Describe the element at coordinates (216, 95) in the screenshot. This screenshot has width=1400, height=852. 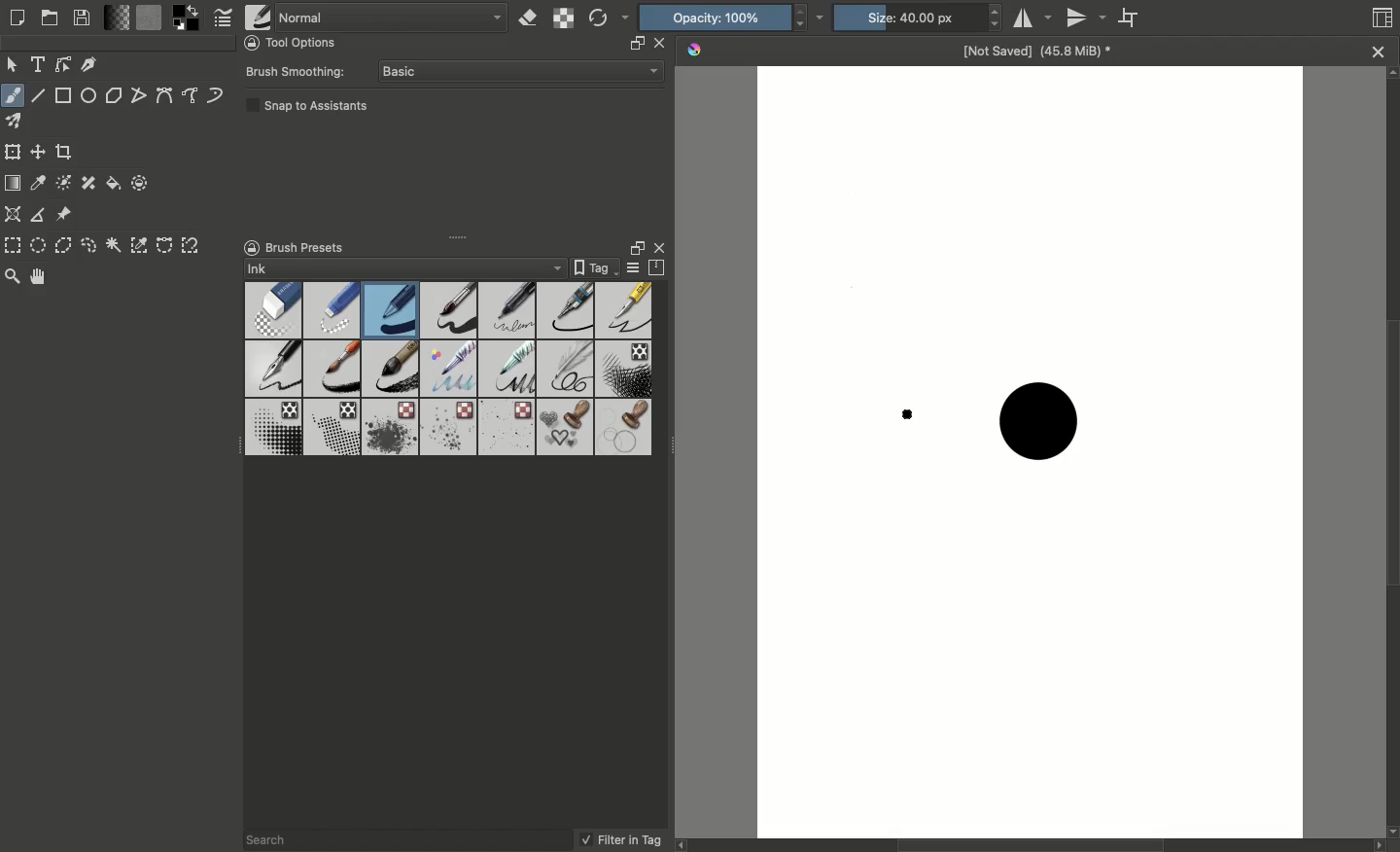
I see `Dynamic brush tool` at that location.